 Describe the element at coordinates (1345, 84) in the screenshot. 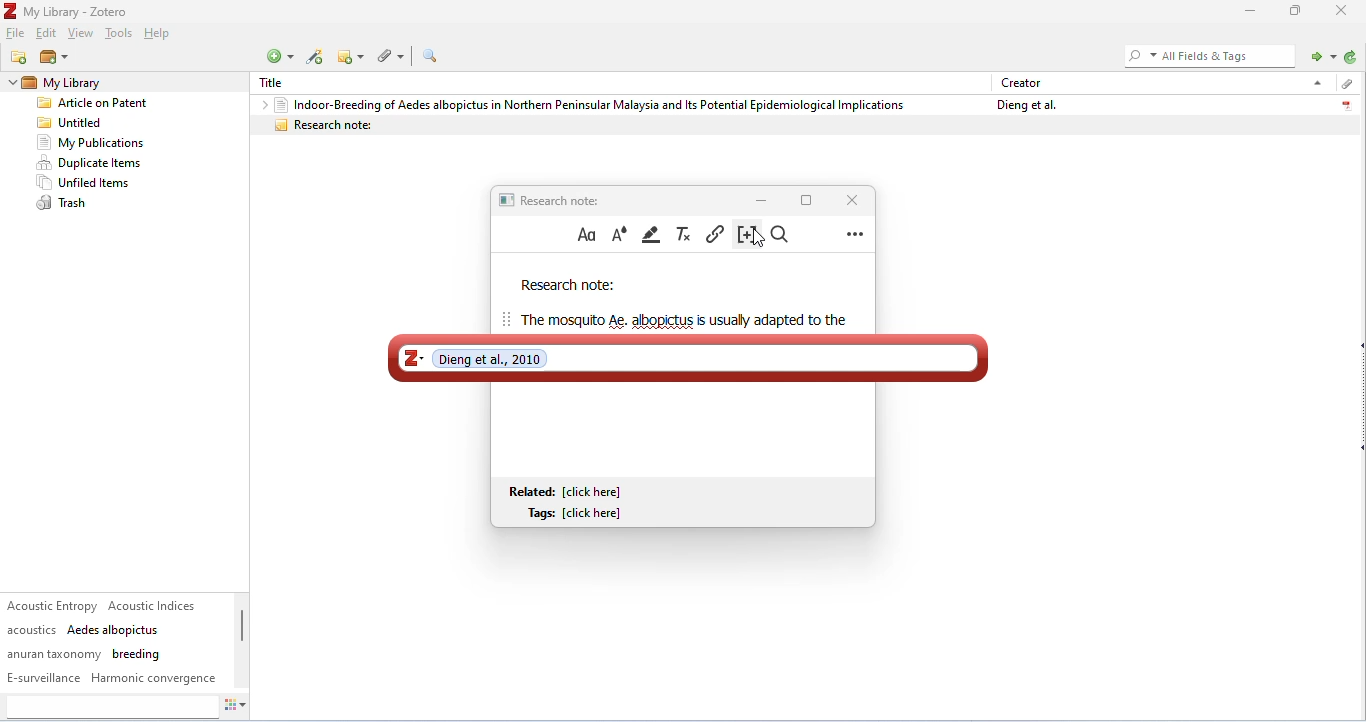

I see `attachment` at that location.